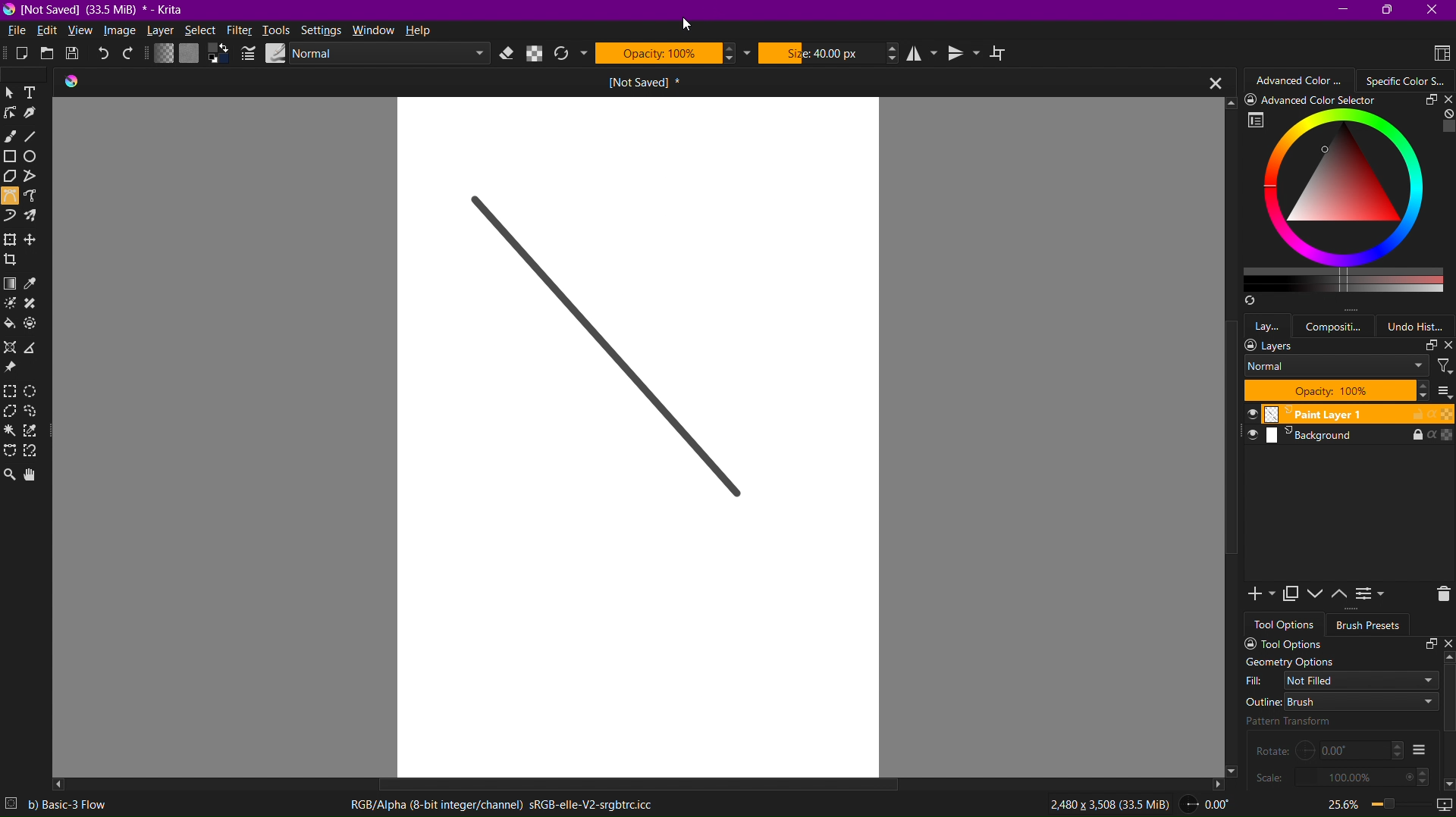  I want to click on Vertical Mirror Tool, so click(965, 54).